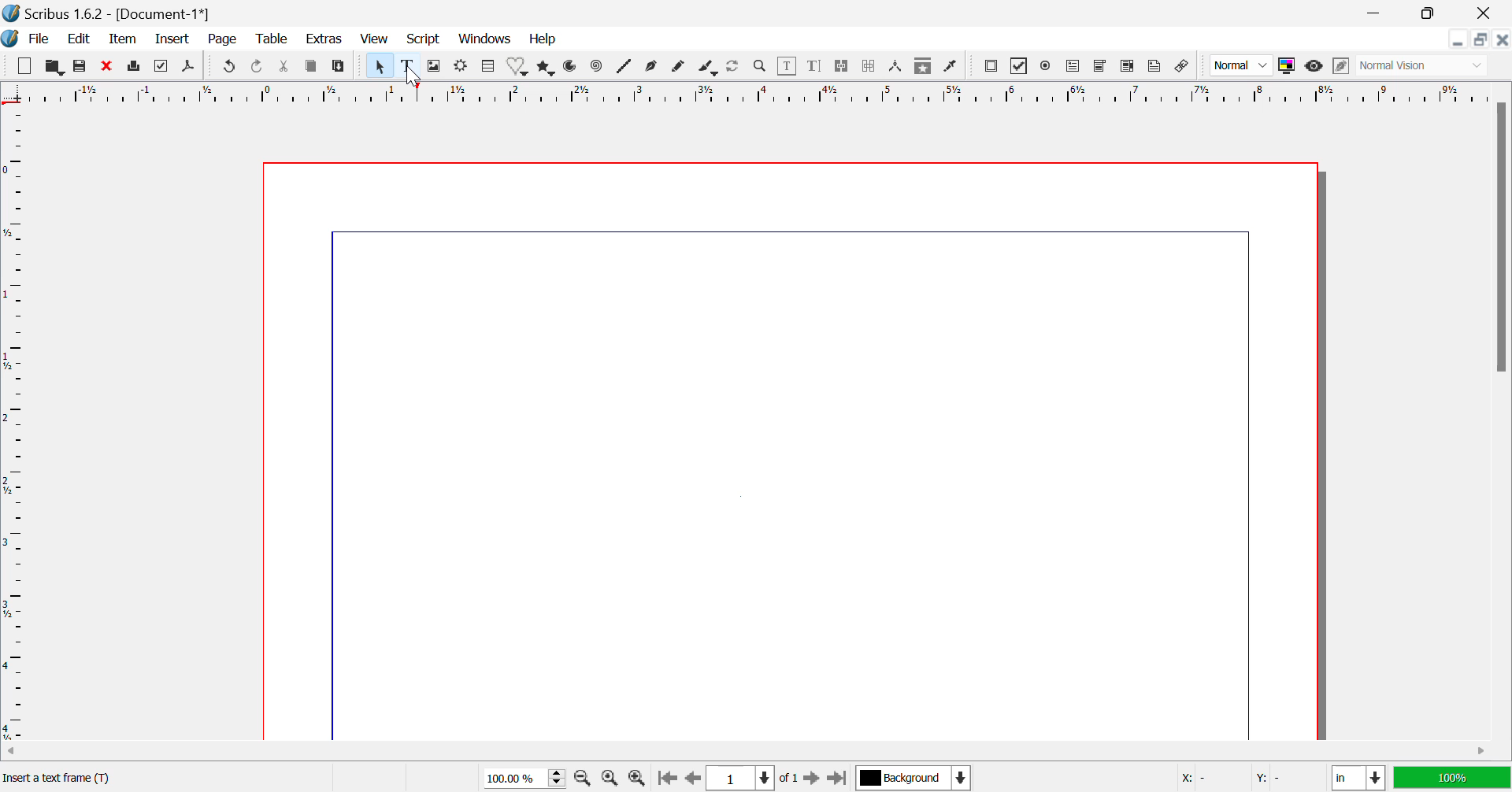 This screenshot has height=792, width=1512. I want to click on Save, so click(79, 66).